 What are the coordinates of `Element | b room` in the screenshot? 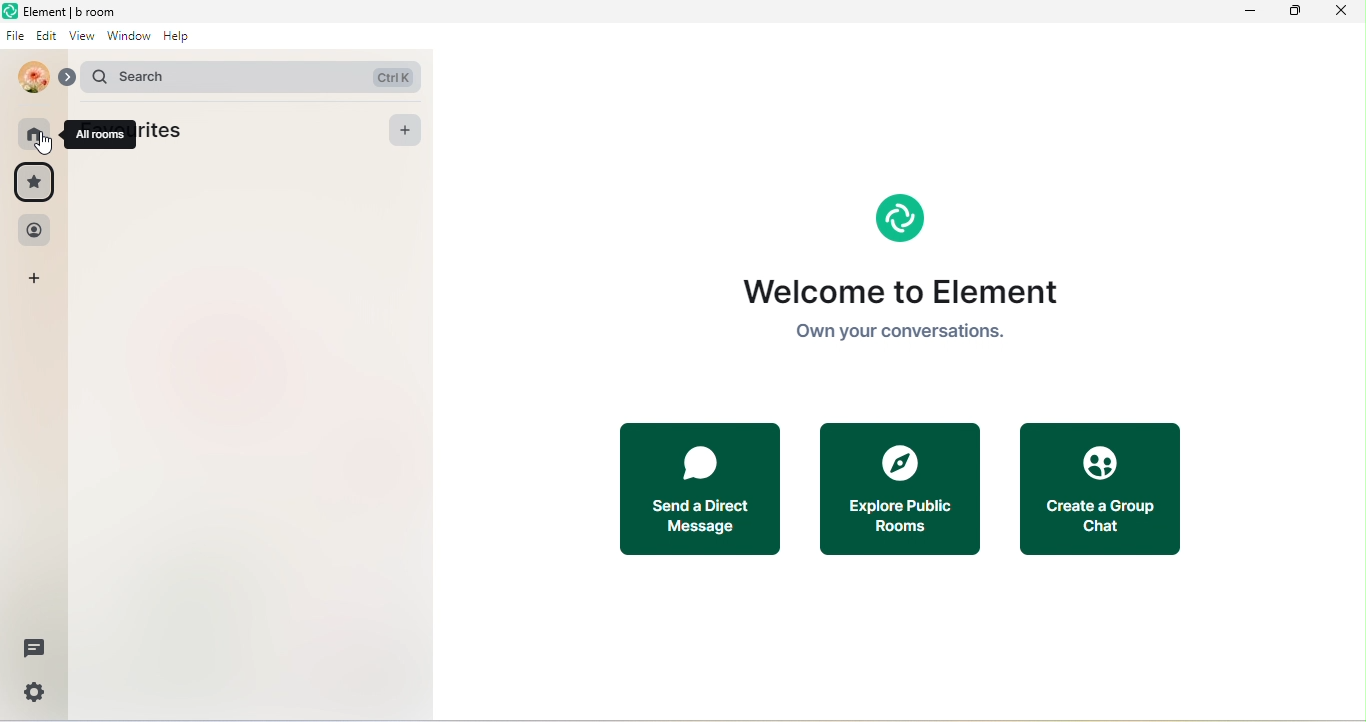 It's located at (80, 11).